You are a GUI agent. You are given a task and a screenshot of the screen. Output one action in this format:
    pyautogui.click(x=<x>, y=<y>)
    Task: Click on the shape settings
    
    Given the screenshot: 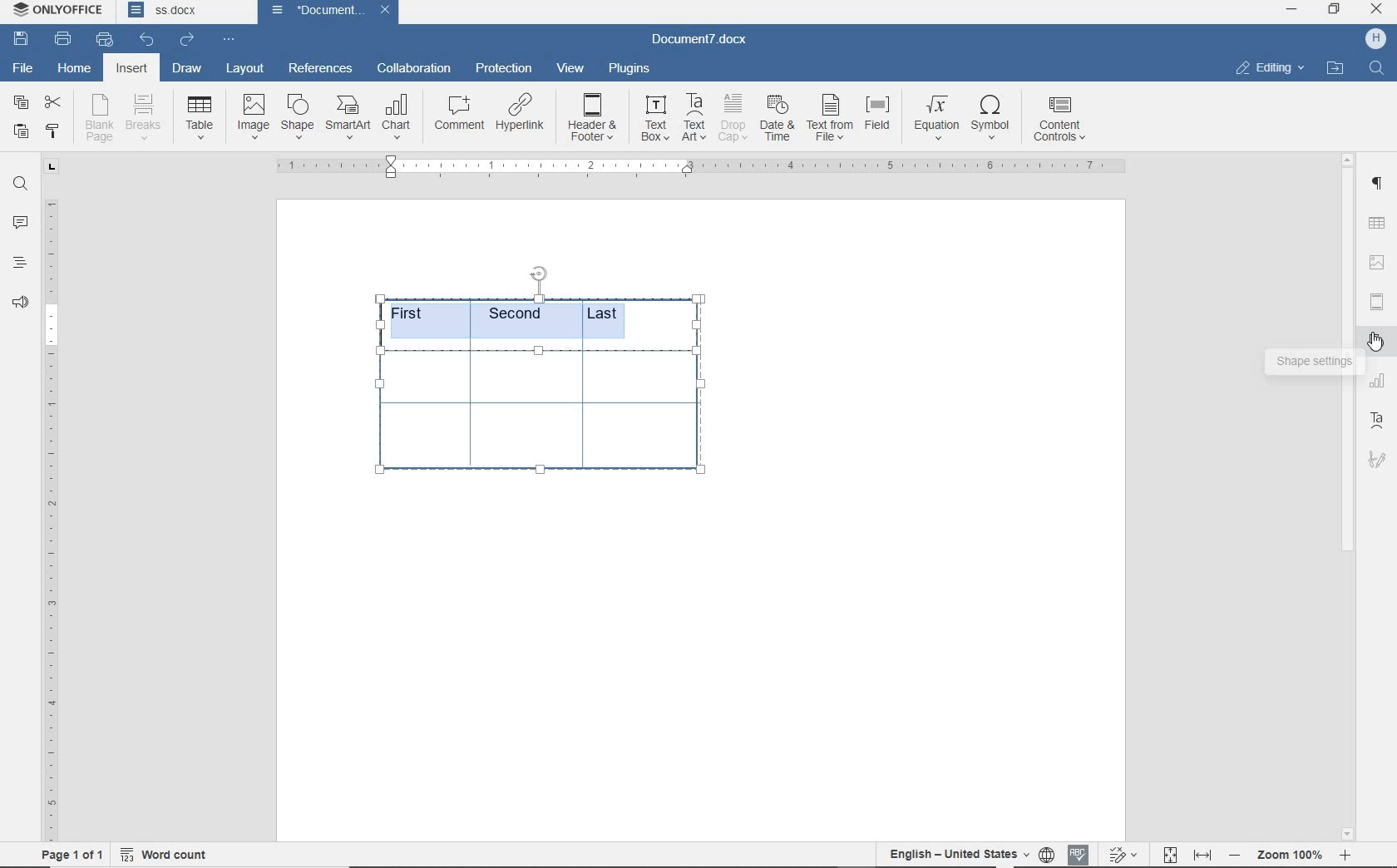 What is the action you would take?
    pyautogui.click(x=1303, y=362)
    